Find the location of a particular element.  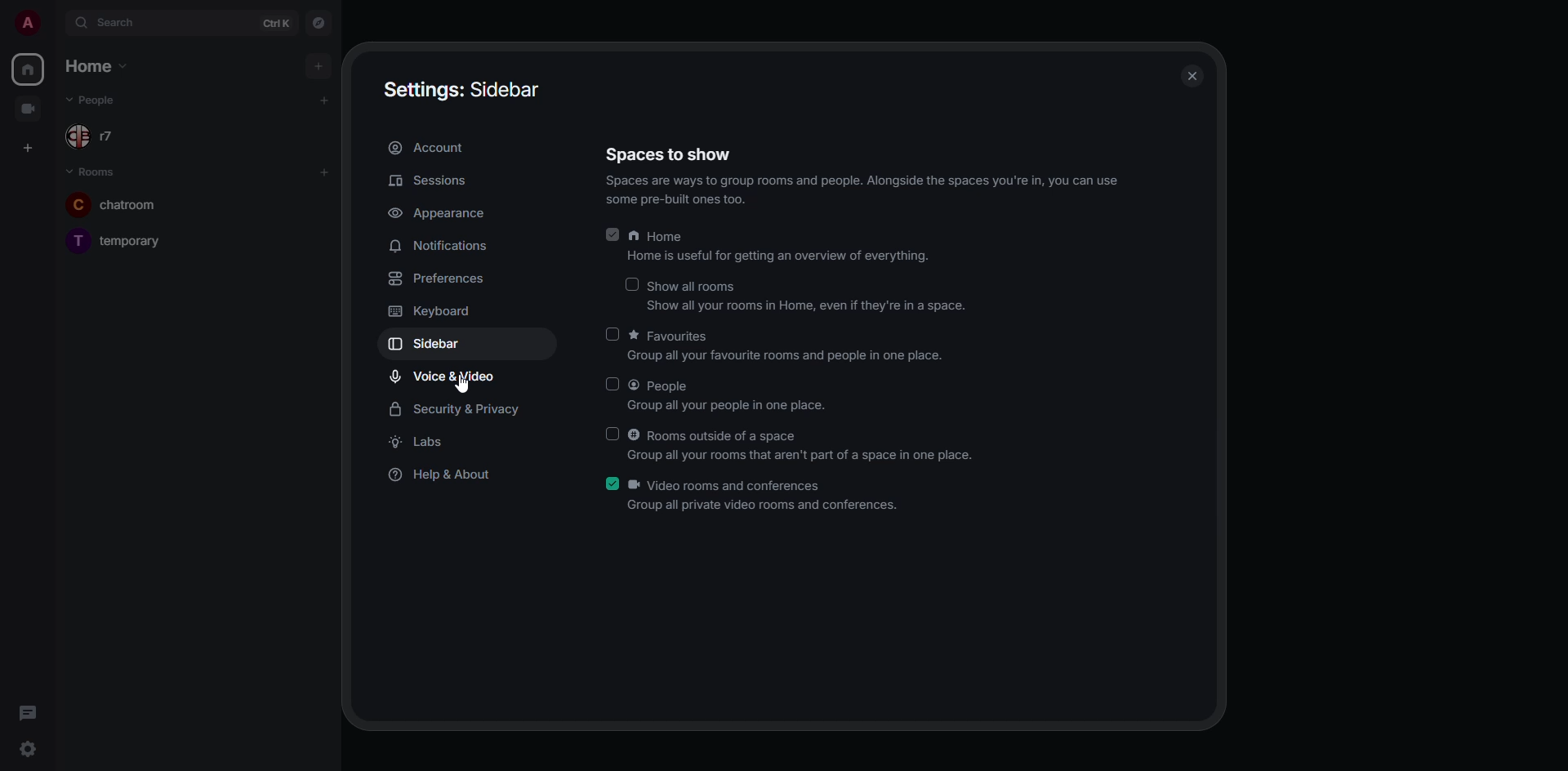

r7 is located at coordinates (93, 136).